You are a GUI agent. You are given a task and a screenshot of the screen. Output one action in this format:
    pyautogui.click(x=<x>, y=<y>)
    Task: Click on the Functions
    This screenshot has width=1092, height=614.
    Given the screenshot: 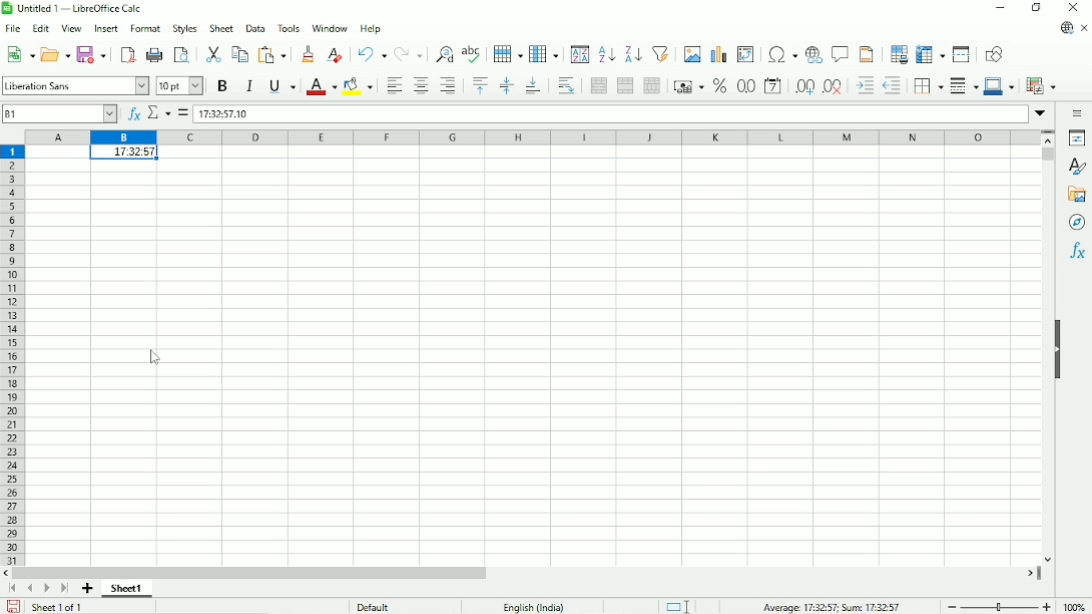 What is the action you would take?
    pyautogui.click(x=1079, y=251)
    